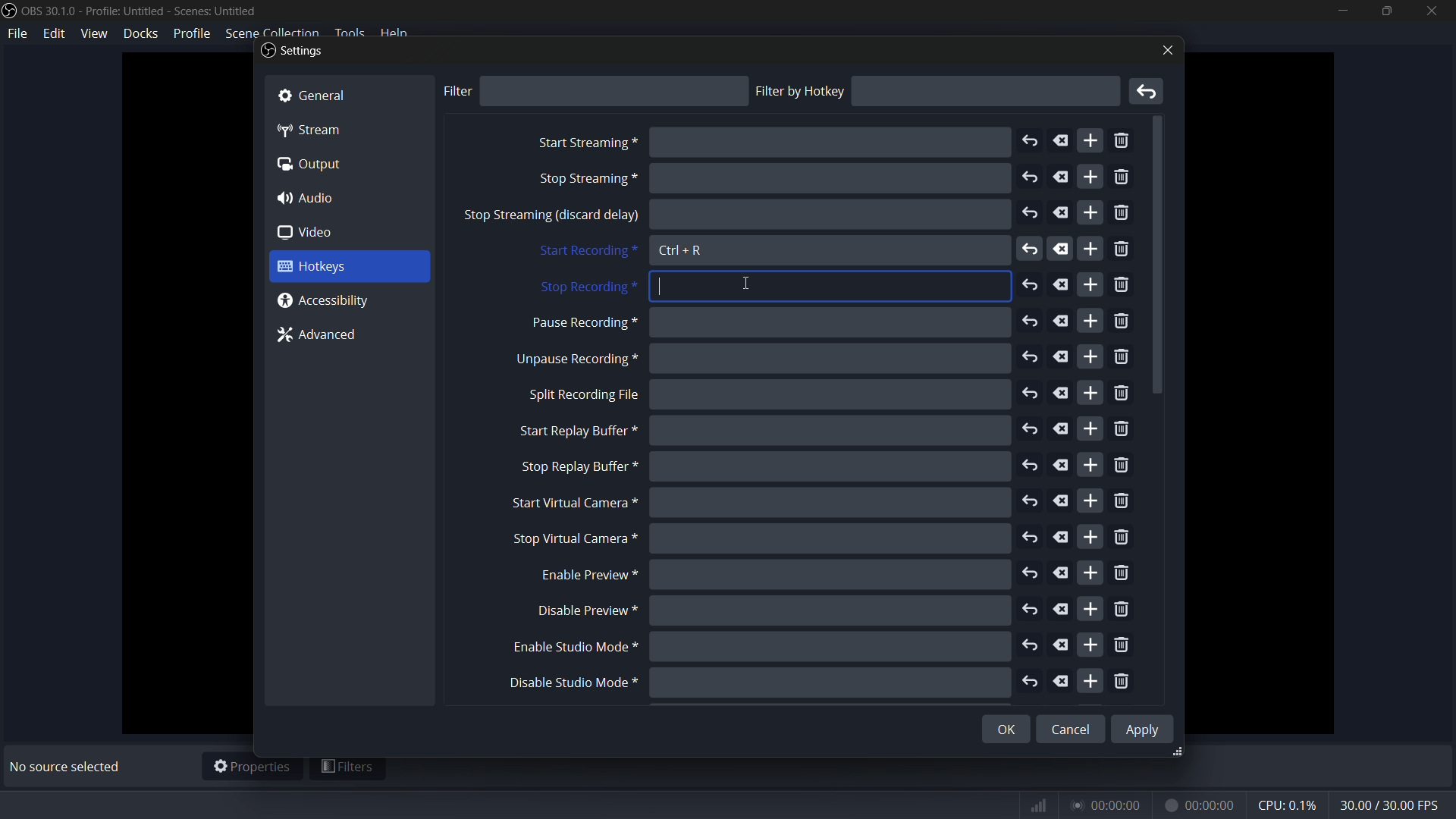 The width and height of the screenshot is (1456, 819). I want to click on remove, so click(1123, 466).